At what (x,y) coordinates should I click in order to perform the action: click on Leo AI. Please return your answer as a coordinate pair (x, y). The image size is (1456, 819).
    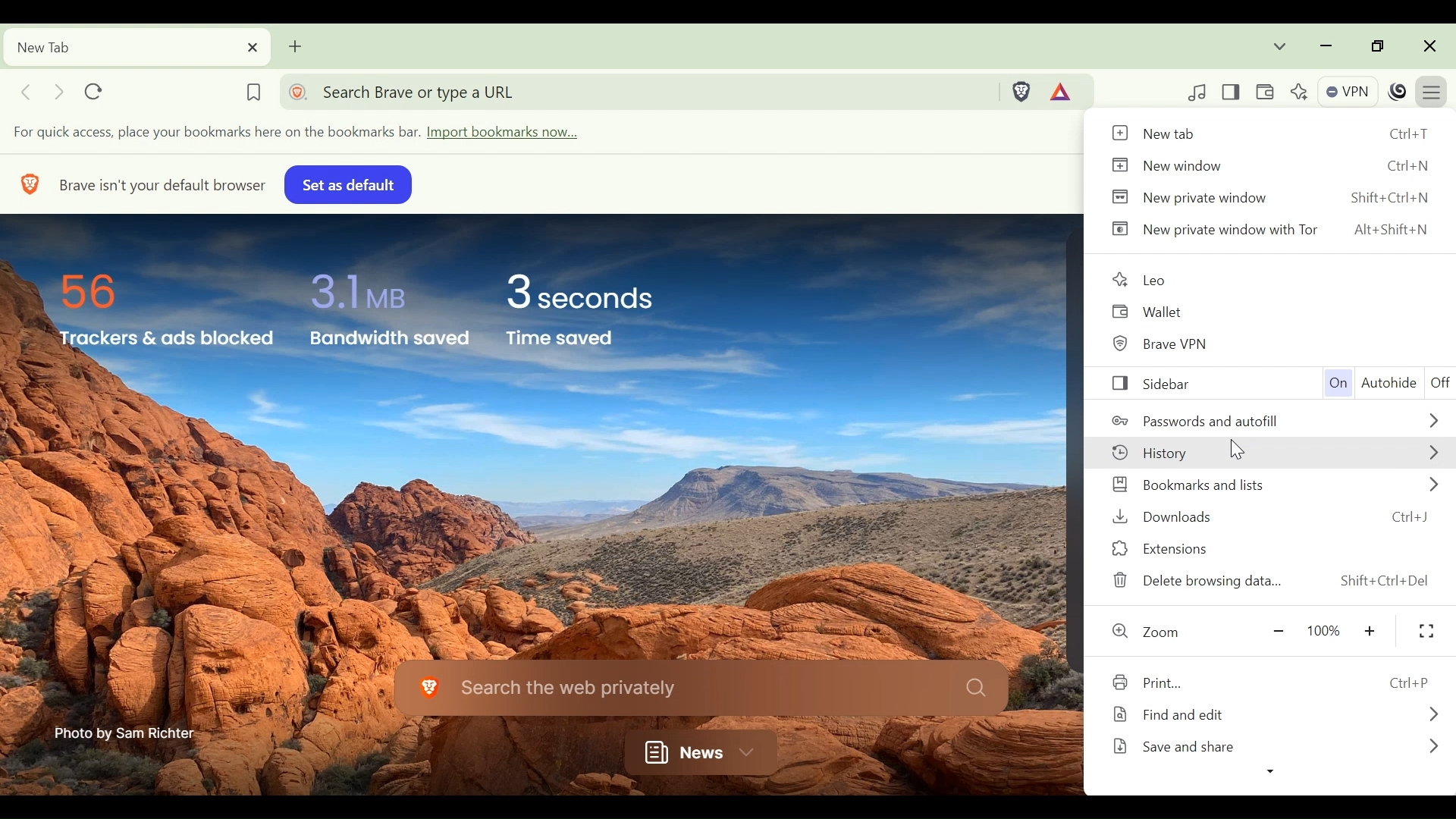
    Looking at the image, I should click on (1298, 90).